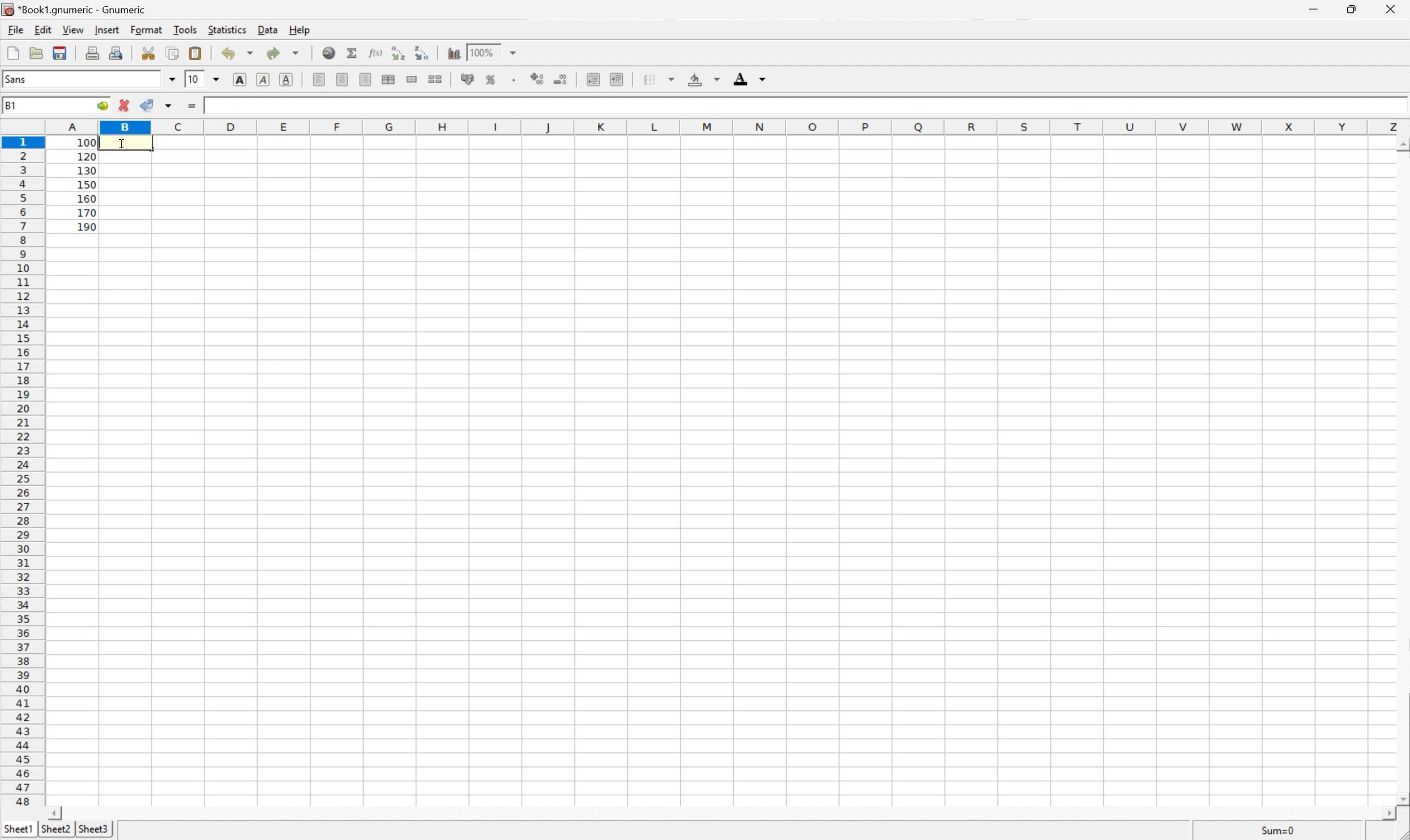 This screenshot has width=1410, height=840. What do you see at coordinates (493, 79) in the screenshot?
I see `Format the selection as percentage` at bounding box center [493, 79].